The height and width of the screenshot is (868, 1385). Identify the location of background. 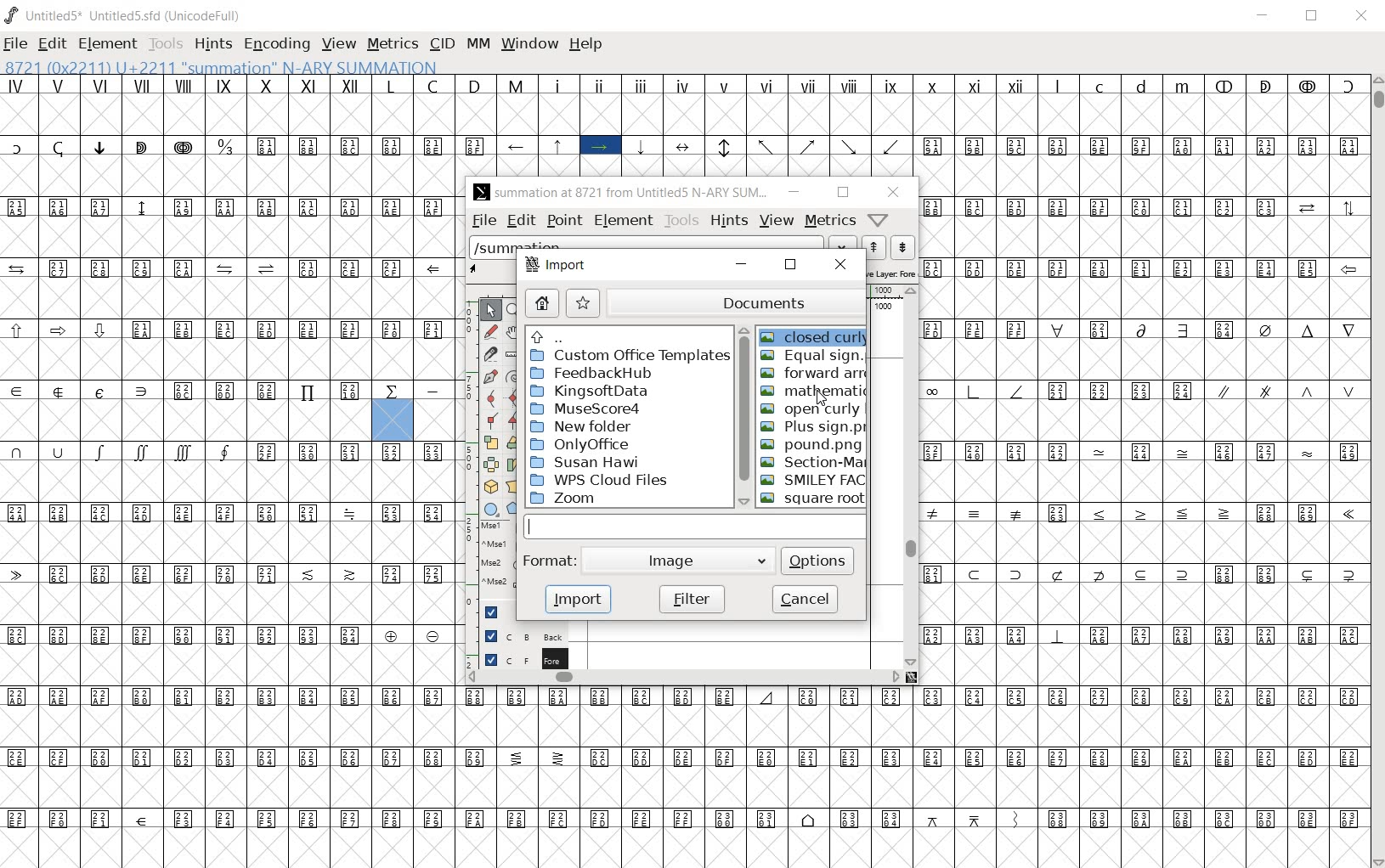
(517, 633).